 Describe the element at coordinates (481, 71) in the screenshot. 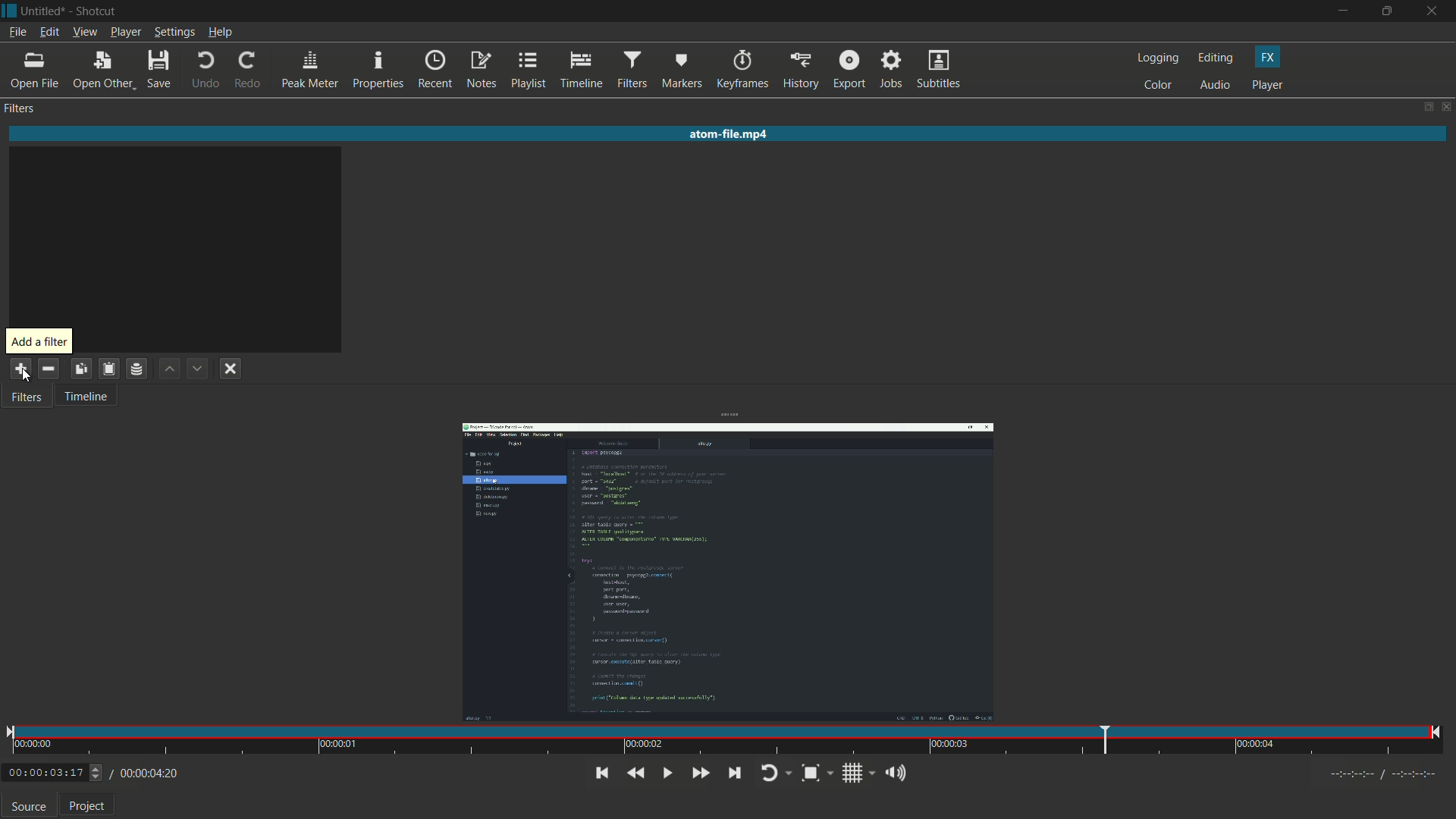

I see `notes` at that location.